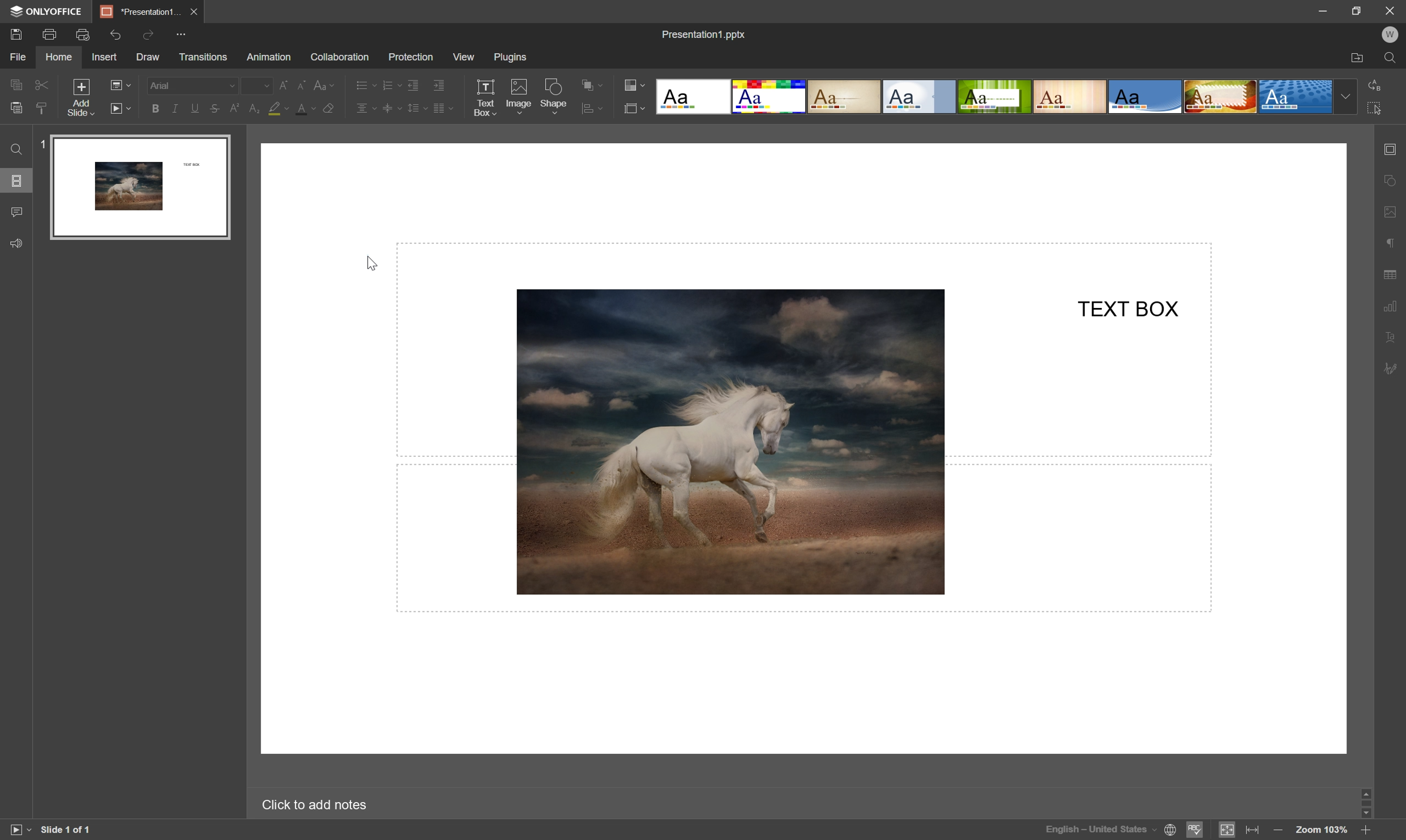 The image size is (1406, 840). Describe the element at coordinates (67, 830) in the screenshot. I see `slide 1 of 1` at that location.